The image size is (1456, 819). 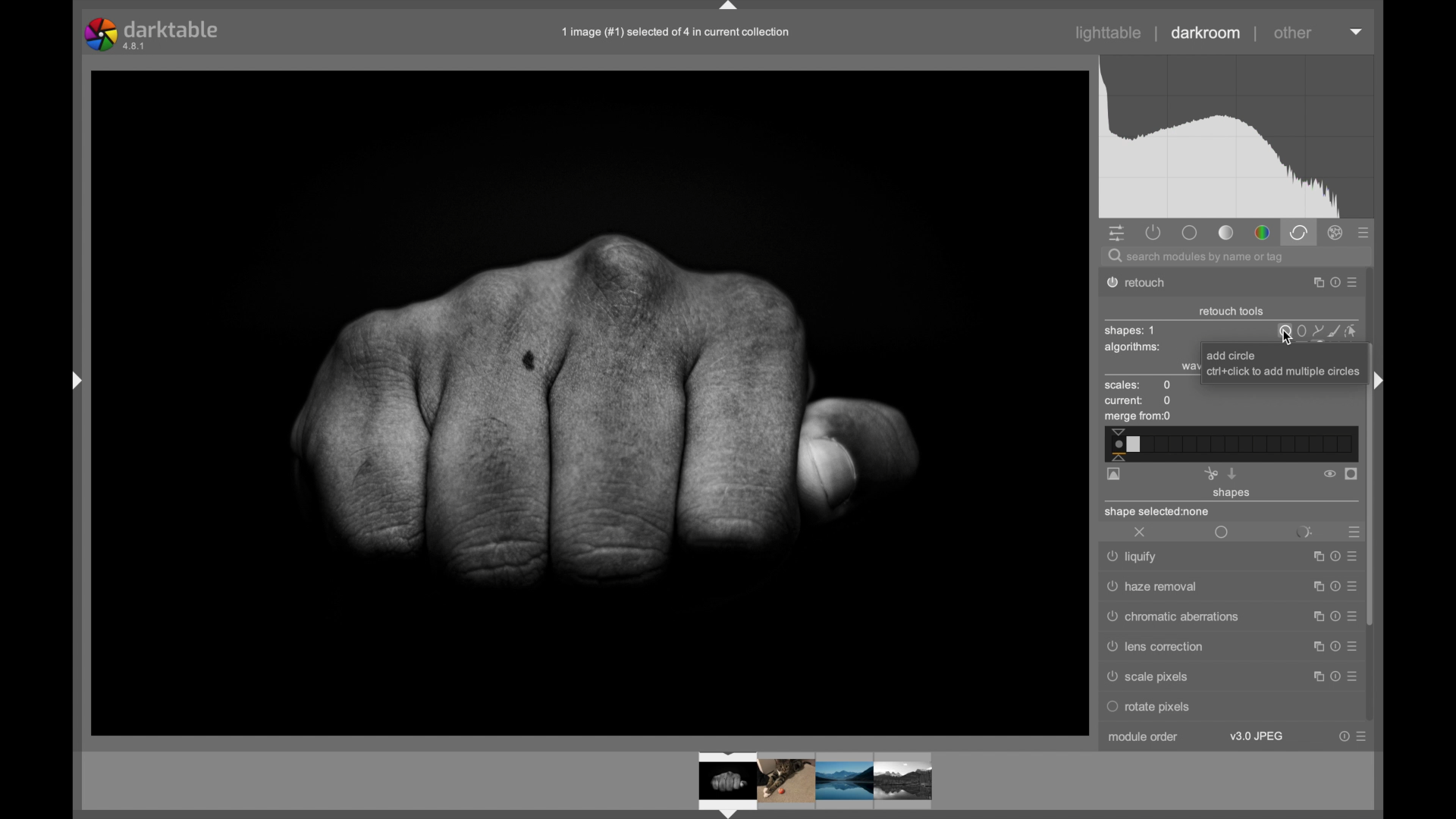 What do you see at coordinates (1314, 676) in the screenshot?
I see `maximize` at bounding box center [1314, 676].